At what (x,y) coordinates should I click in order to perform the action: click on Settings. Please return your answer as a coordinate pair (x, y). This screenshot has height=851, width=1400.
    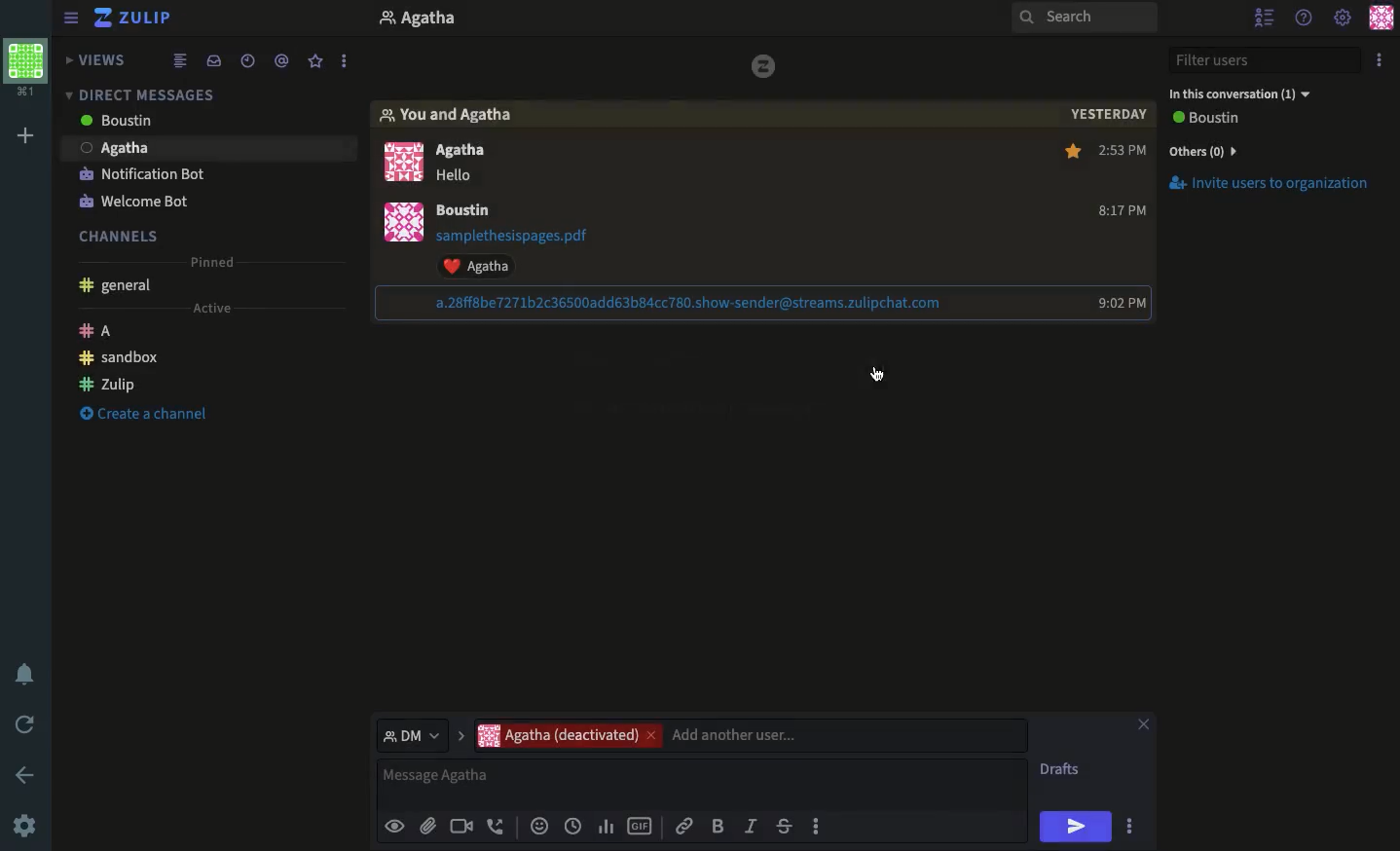
    Looking at the image, I should click on (24, 828).